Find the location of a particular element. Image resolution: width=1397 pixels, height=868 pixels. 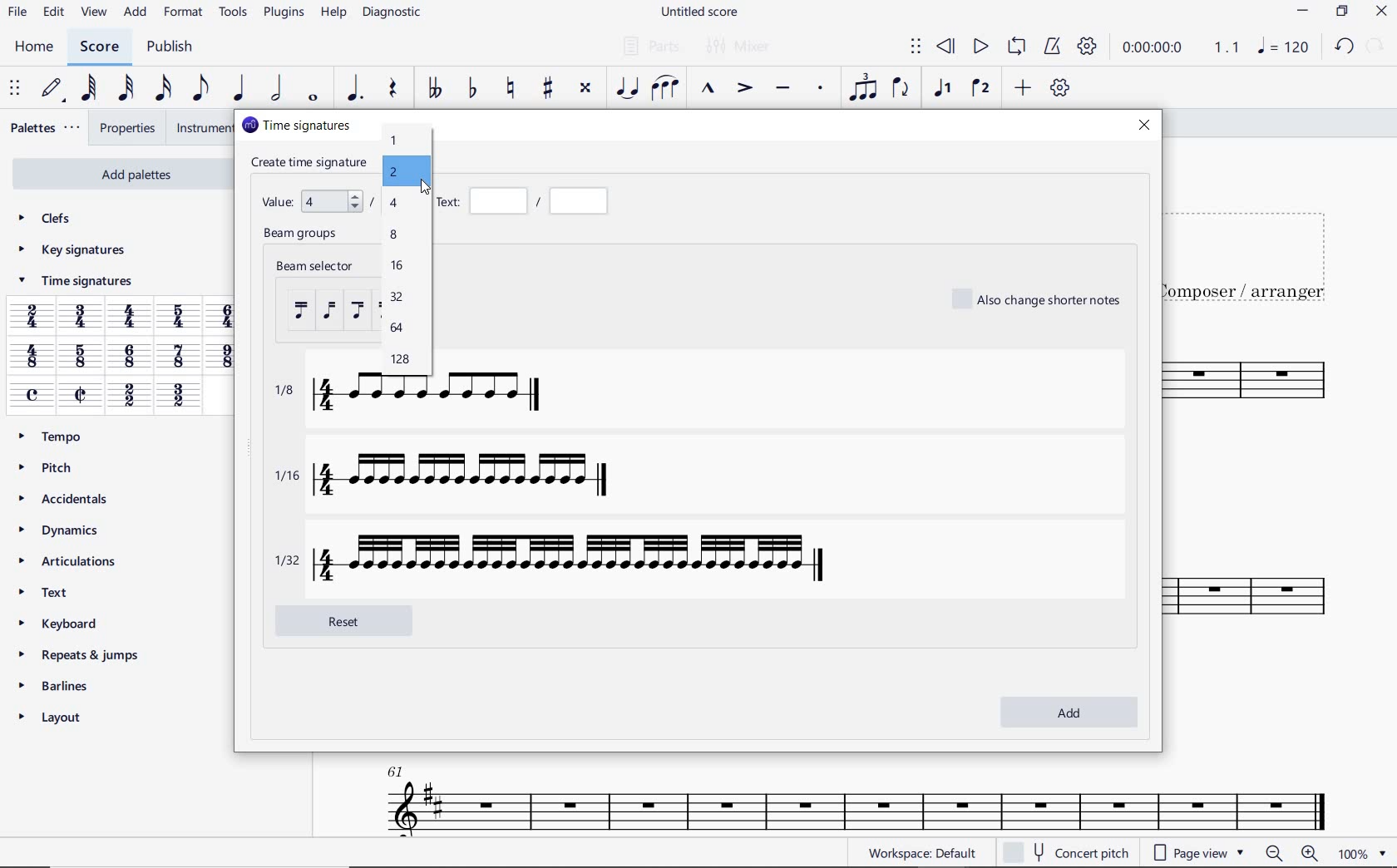

LOOP PLAYBACK is located at coordinates (1015, 47).